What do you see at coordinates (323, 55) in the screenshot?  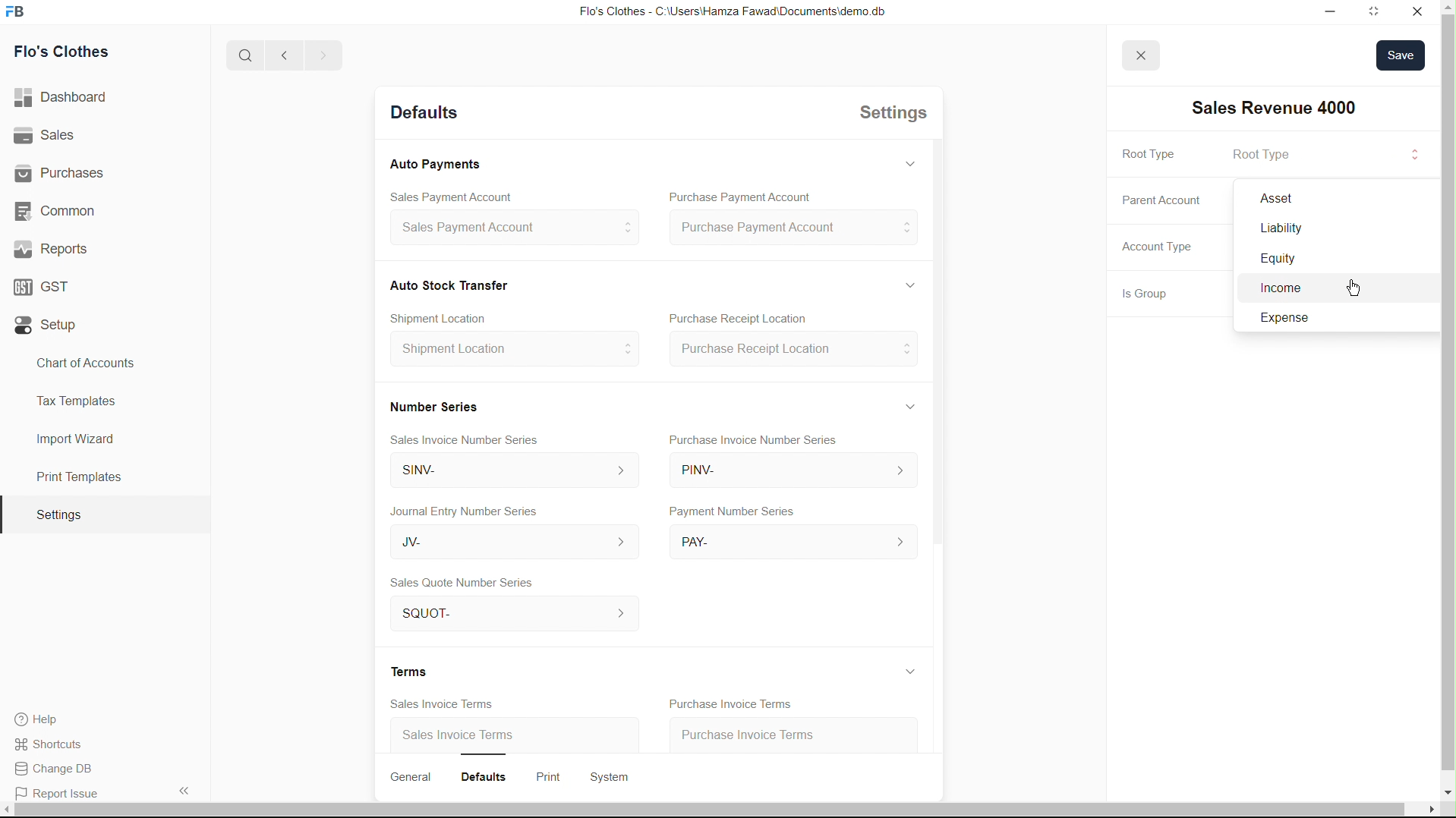 I see `Forward` at bounding box center [323, 55].